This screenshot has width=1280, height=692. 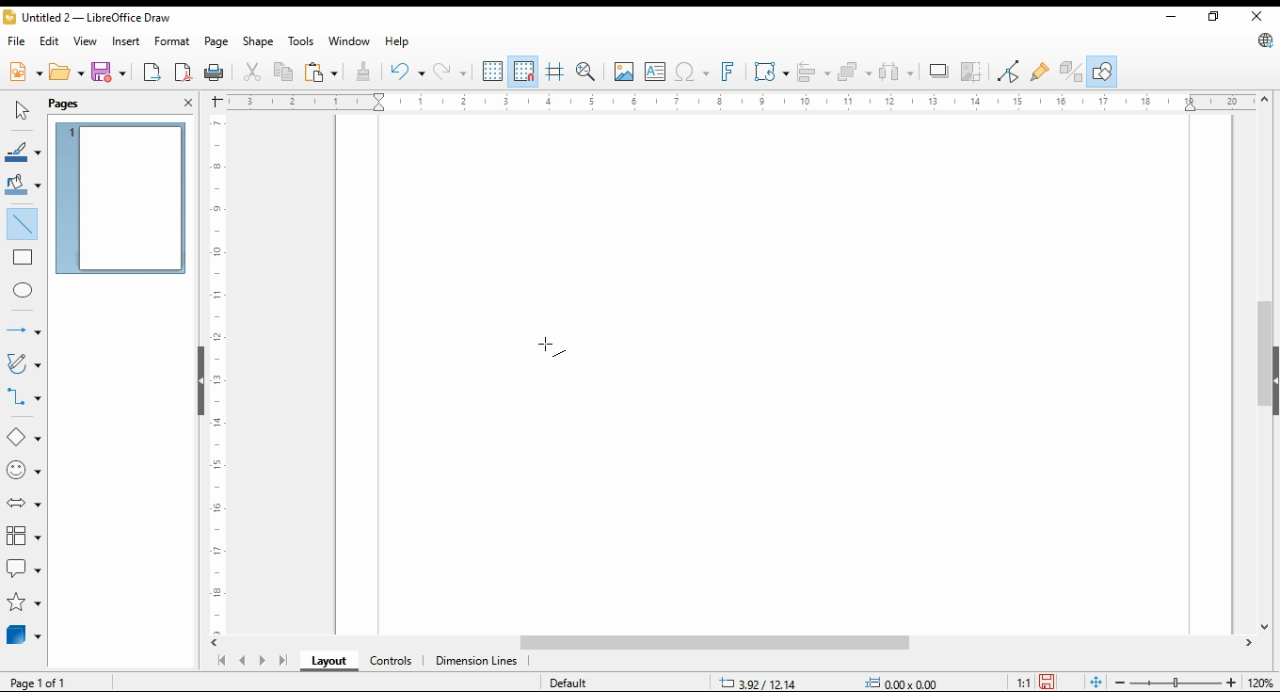 I want to click on export directly as pdf, so click(x=184, y=71).